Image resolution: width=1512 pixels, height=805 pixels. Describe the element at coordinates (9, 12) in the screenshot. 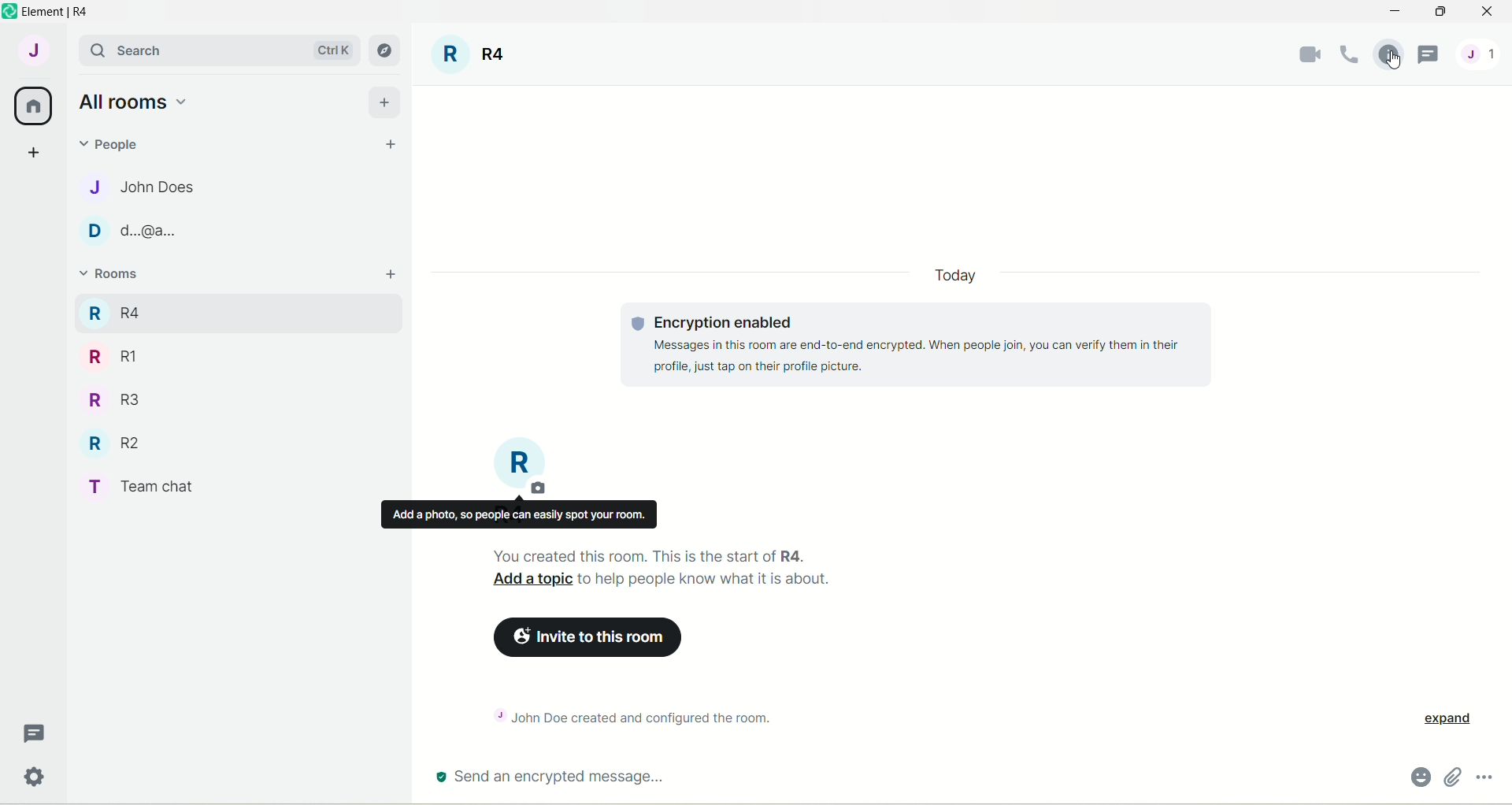

I see `logo` at that location.